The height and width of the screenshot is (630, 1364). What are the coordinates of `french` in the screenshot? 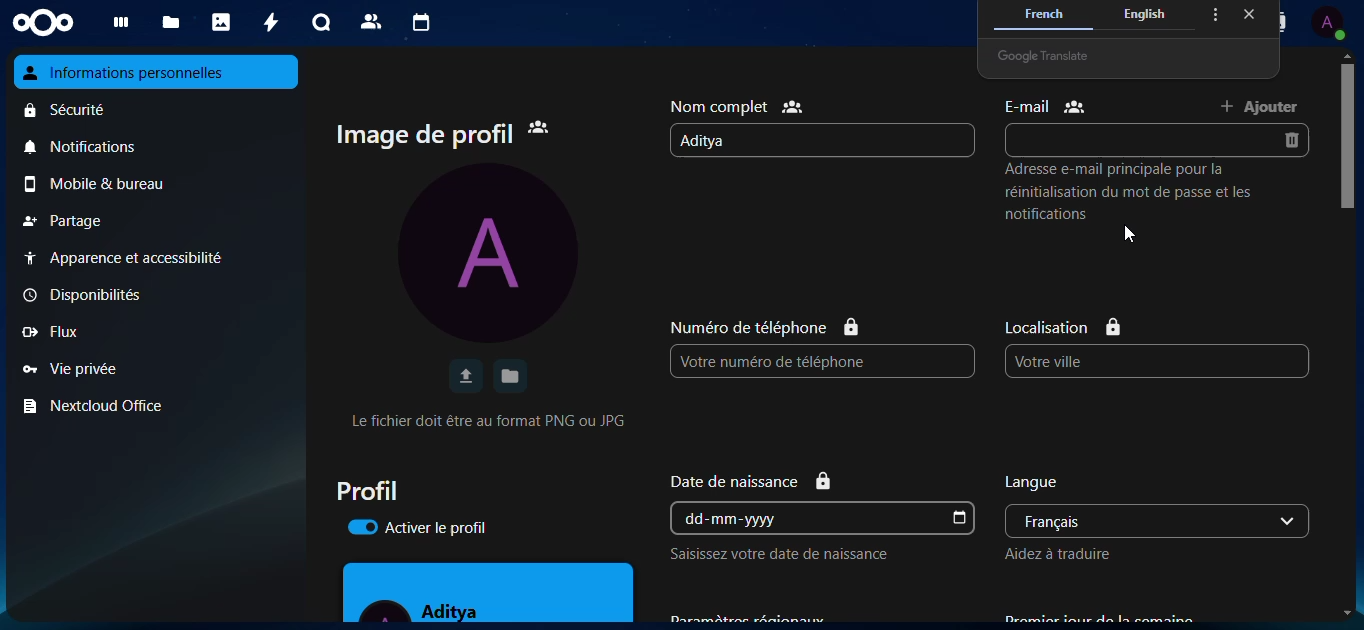 It's located at (1044, 14).